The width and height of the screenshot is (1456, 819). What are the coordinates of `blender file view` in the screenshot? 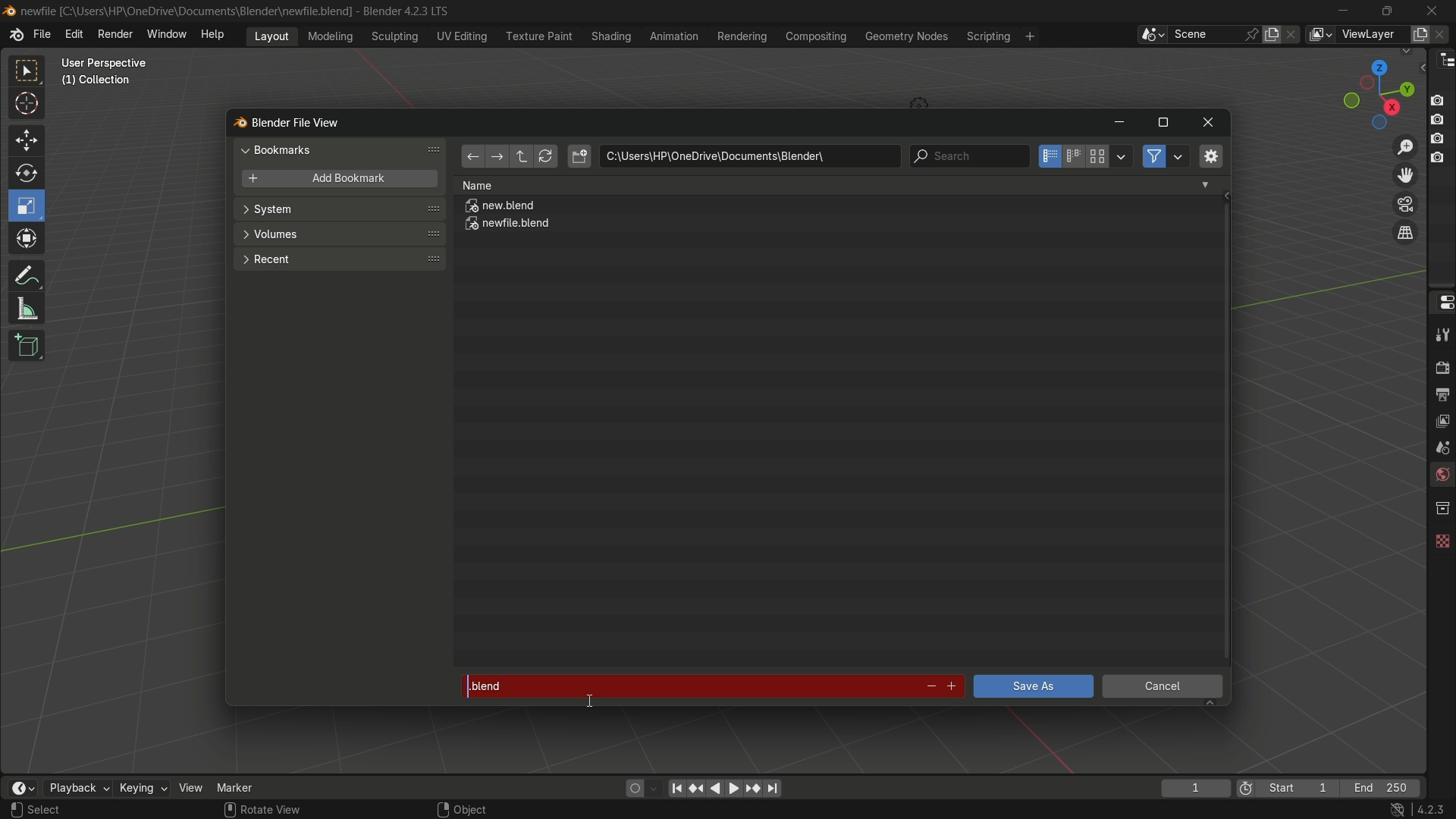 It's located at (298, 121).